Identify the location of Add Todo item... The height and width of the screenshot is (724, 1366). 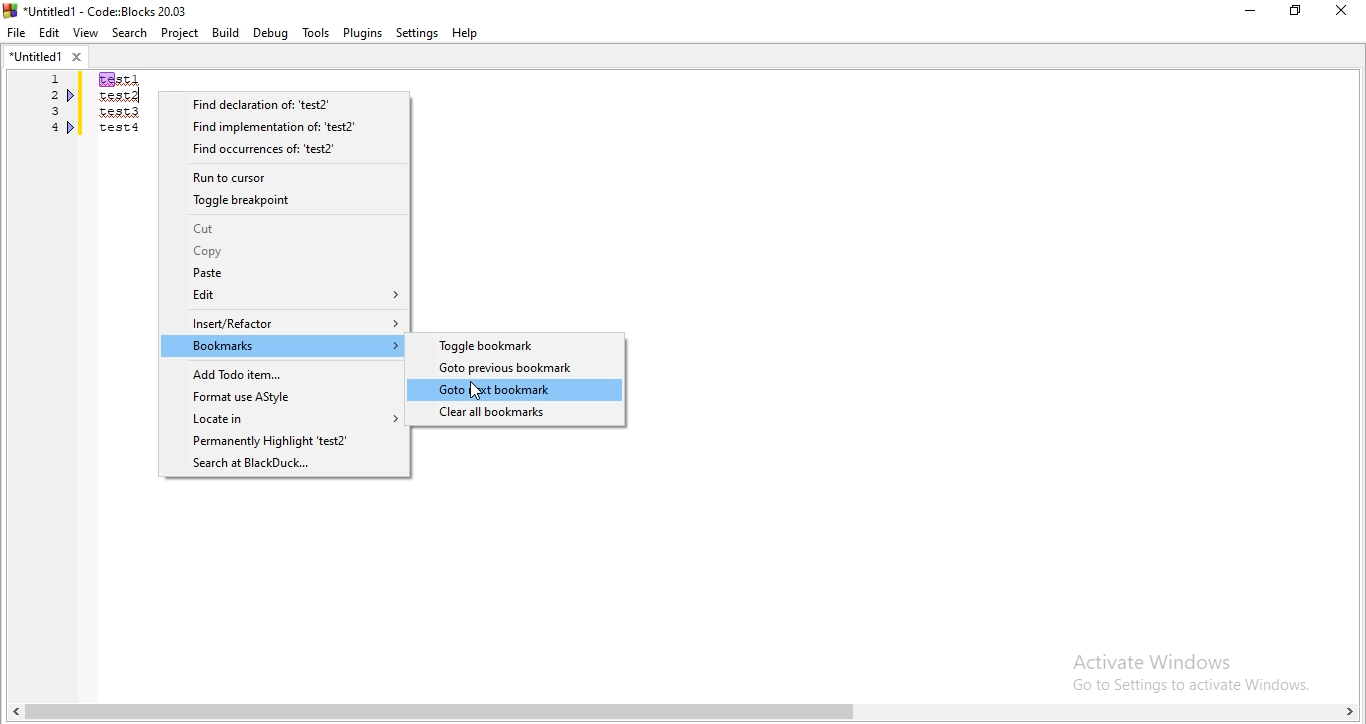
(283, 375).